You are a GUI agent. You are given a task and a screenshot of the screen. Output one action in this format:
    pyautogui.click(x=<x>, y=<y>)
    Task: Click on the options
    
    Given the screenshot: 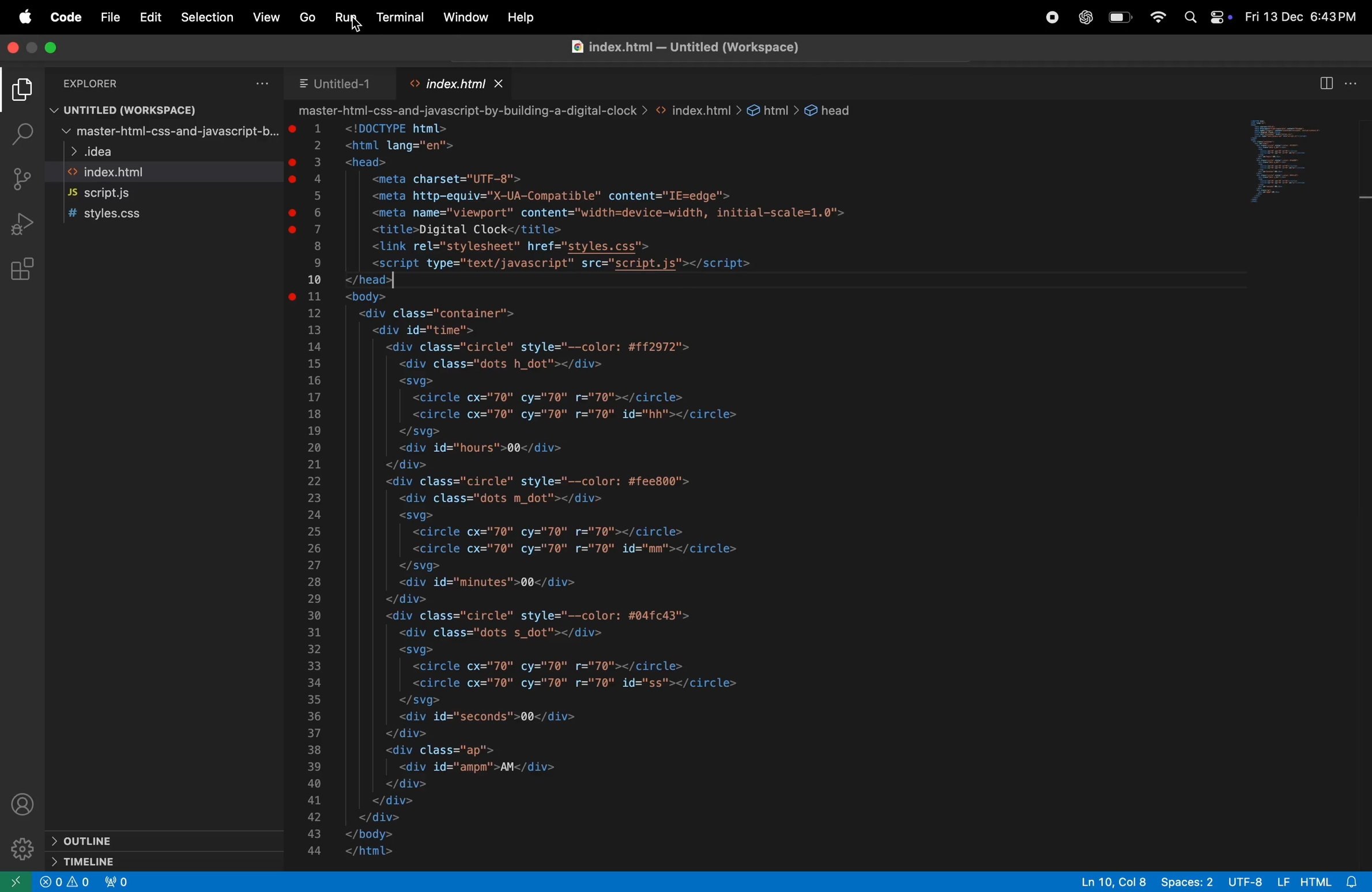 What is the action you would take?
    pyautogui.click(x=1356, y=82)
    